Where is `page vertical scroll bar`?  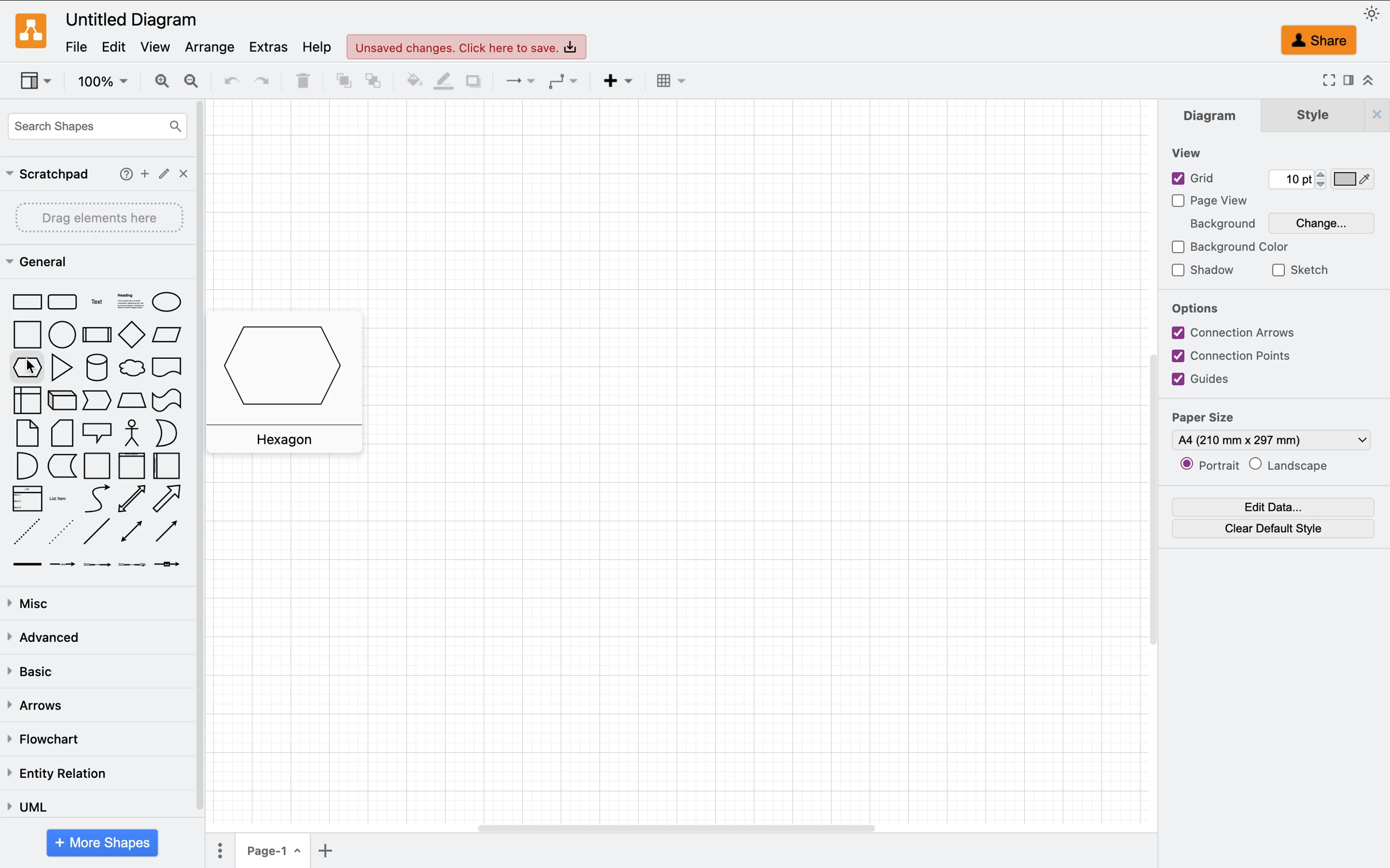
page vertical scroll bar is located at coordinates (1144, 499).